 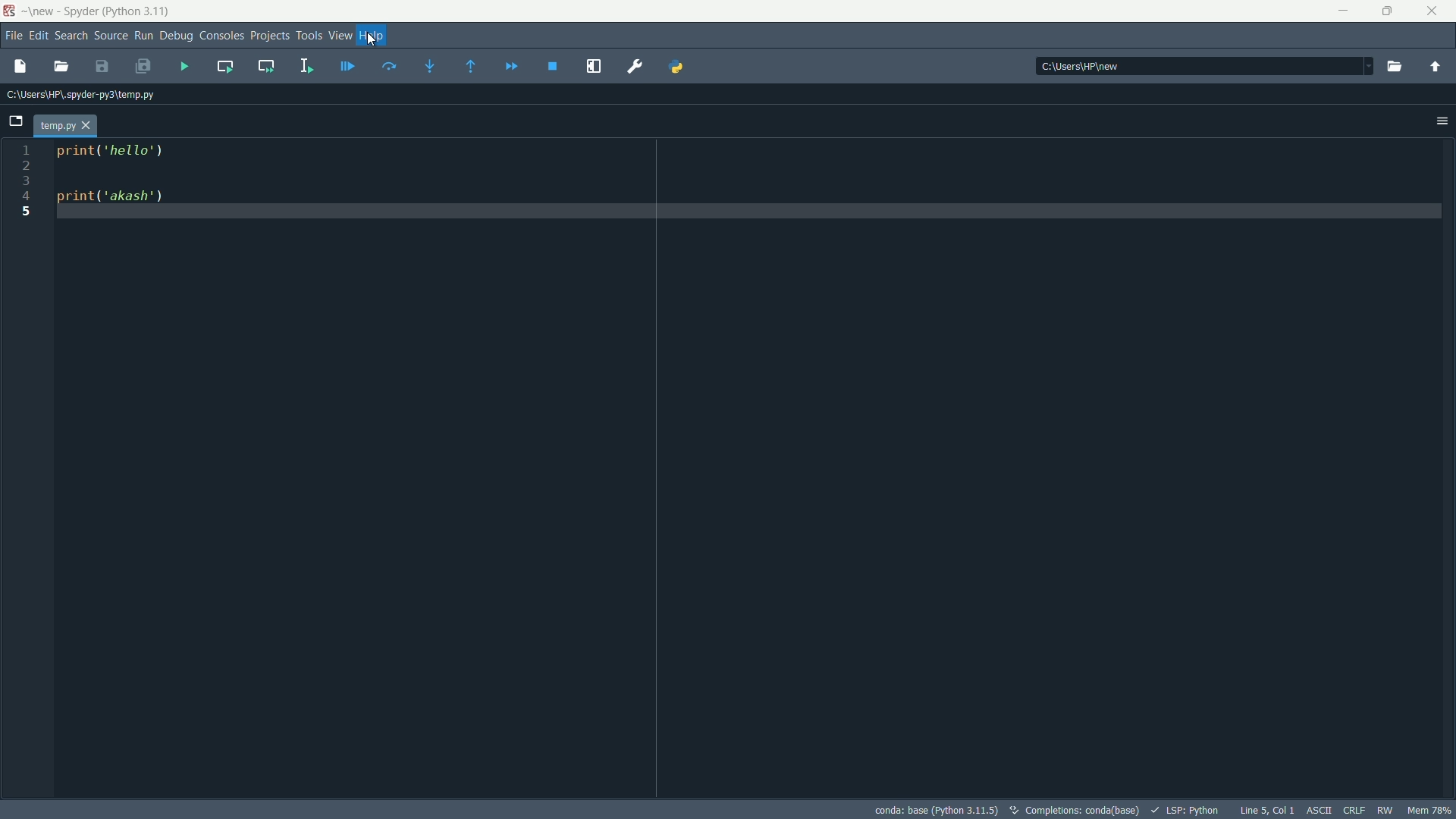 What do you see at coordinates (1071, 810) in the screenshot?
I see `completions:conda` at bounding box center [1071, 810].